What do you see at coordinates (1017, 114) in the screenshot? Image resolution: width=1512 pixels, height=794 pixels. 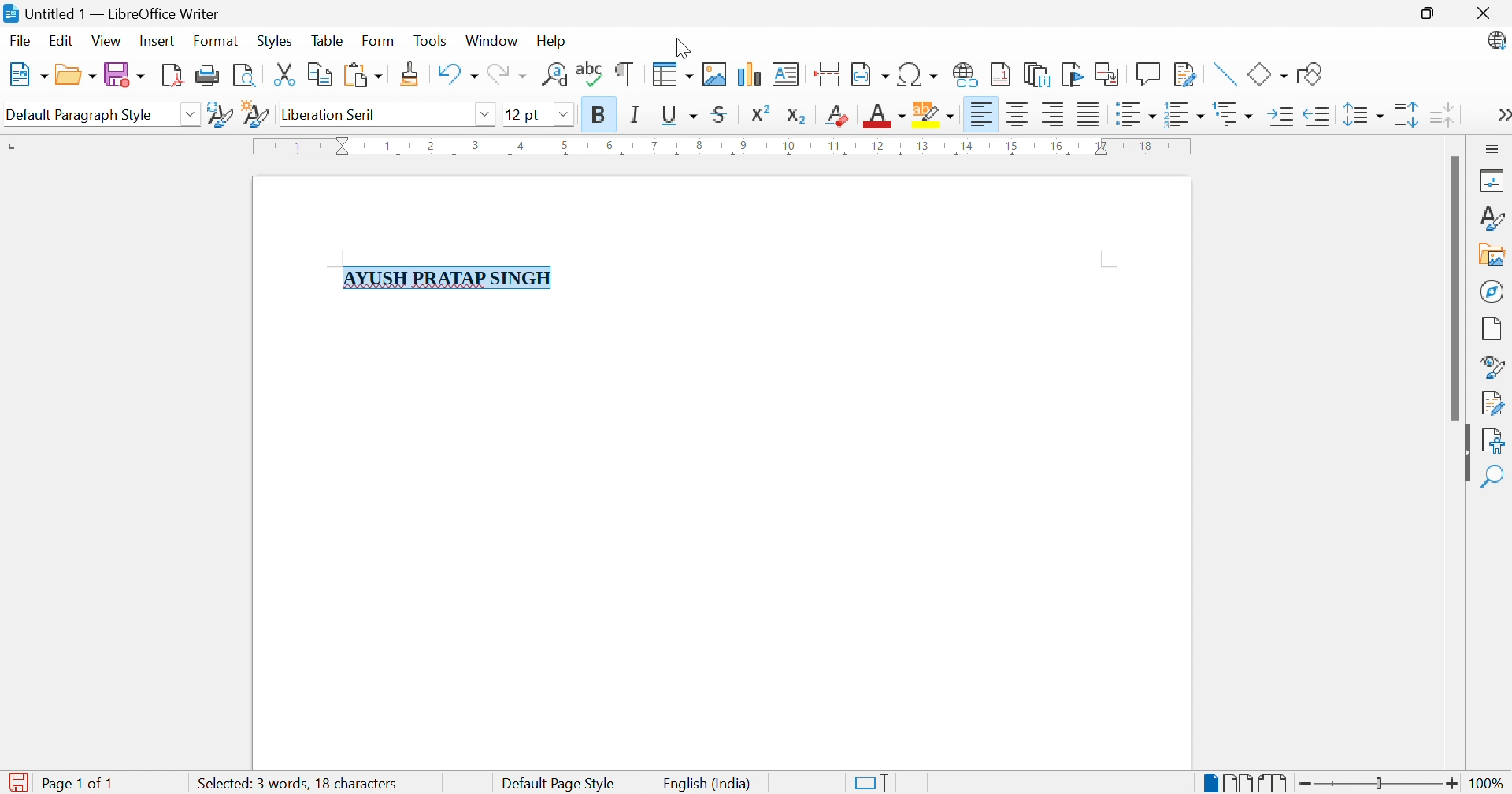 I see `Align Center` at bounding box center [1017, 114].